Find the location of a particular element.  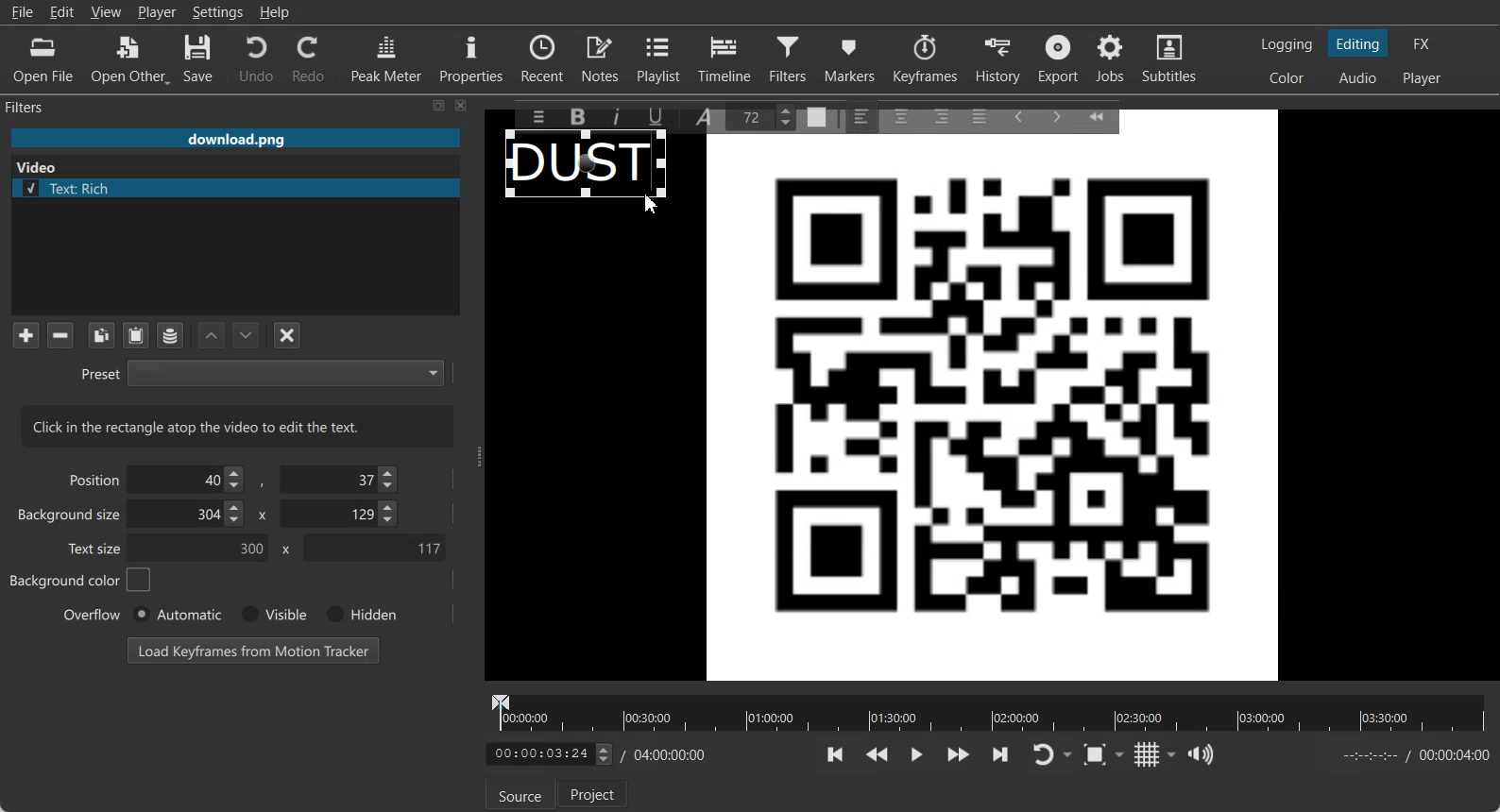

Deselect the filter is located at coordinates (288, 335).